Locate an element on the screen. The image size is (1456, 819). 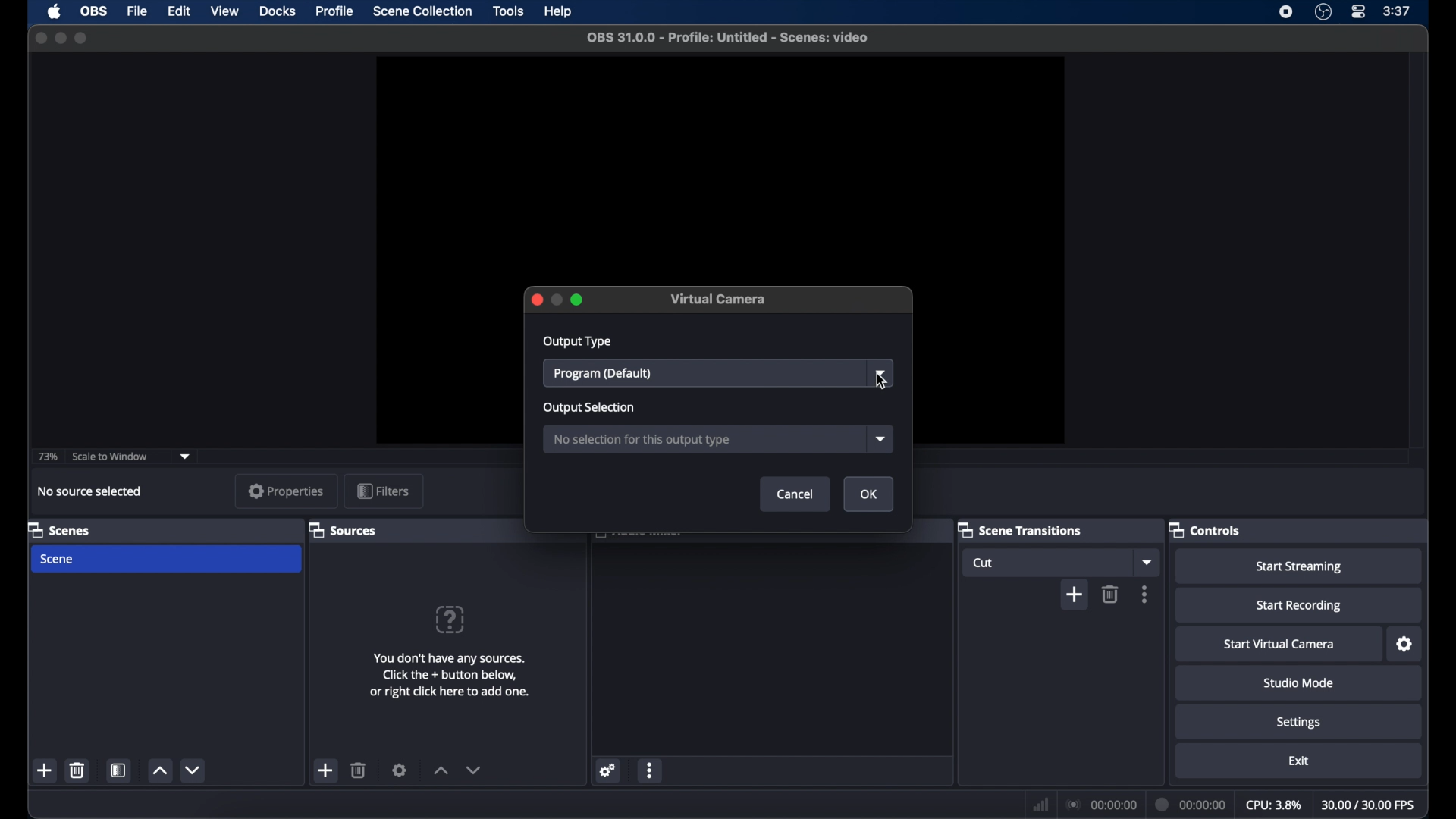
properties is located at coordinates (287, 491).